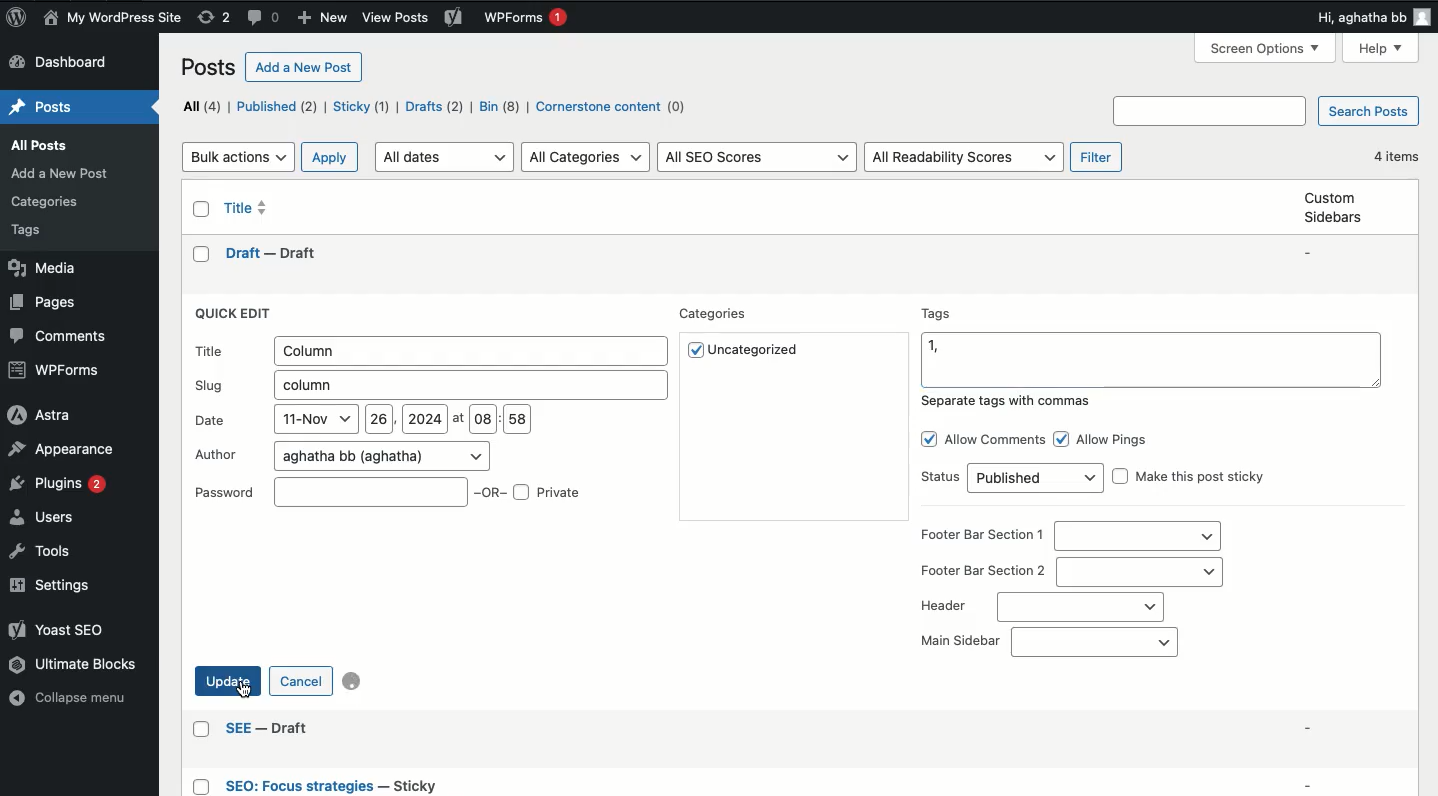 The width and height of the screenshot is (1438, 796). I want to click on Header , so click(1039, 606).